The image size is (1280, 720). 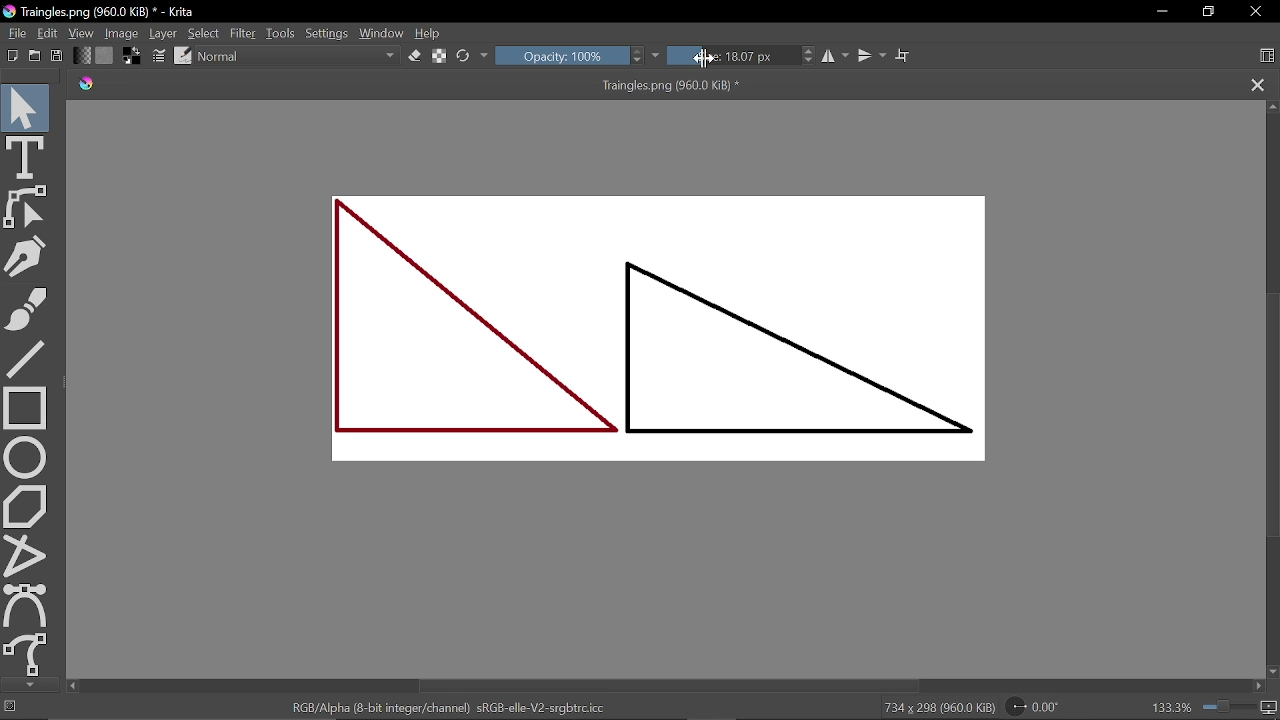 I want to click on Line tool, so click(x=31, y=361).